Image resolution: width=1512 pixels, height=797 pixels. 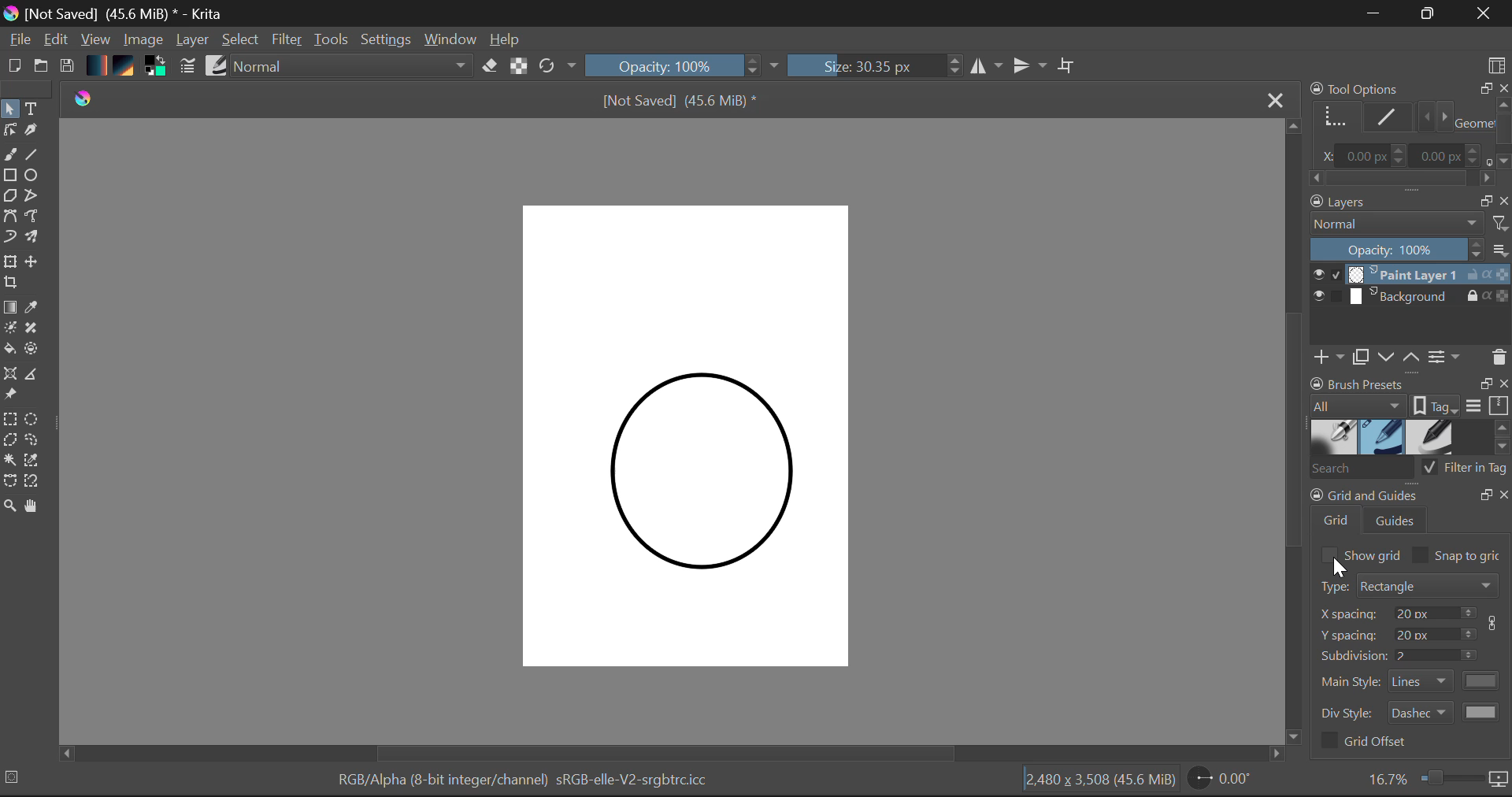 What do you see at coordinates (35, 506) in the screenshot?
I see `Pan` at bounding box center [35, 506].